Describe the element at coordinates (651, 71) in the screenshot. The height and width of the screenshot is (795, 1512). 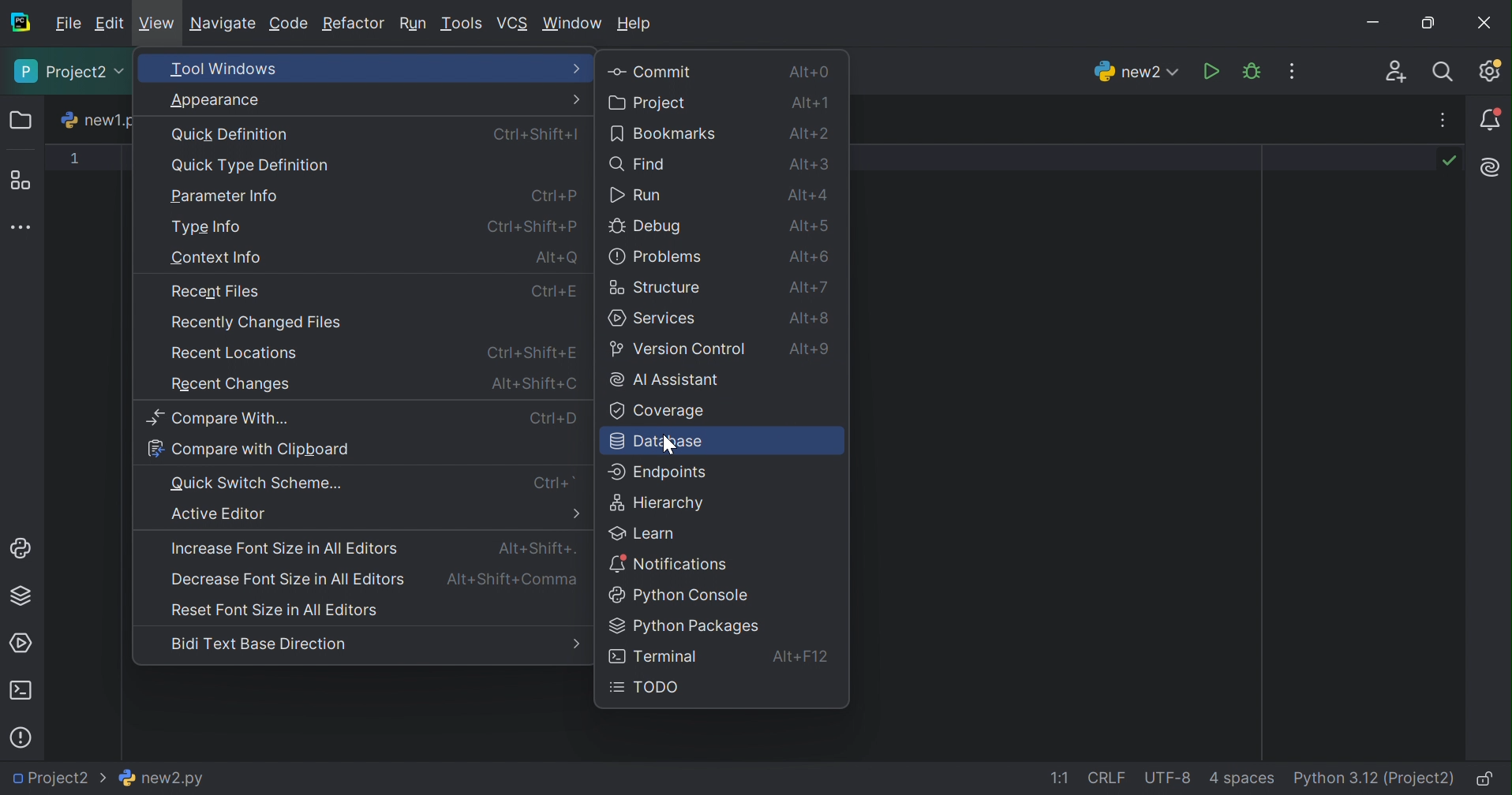
I see `Commit` at that location.